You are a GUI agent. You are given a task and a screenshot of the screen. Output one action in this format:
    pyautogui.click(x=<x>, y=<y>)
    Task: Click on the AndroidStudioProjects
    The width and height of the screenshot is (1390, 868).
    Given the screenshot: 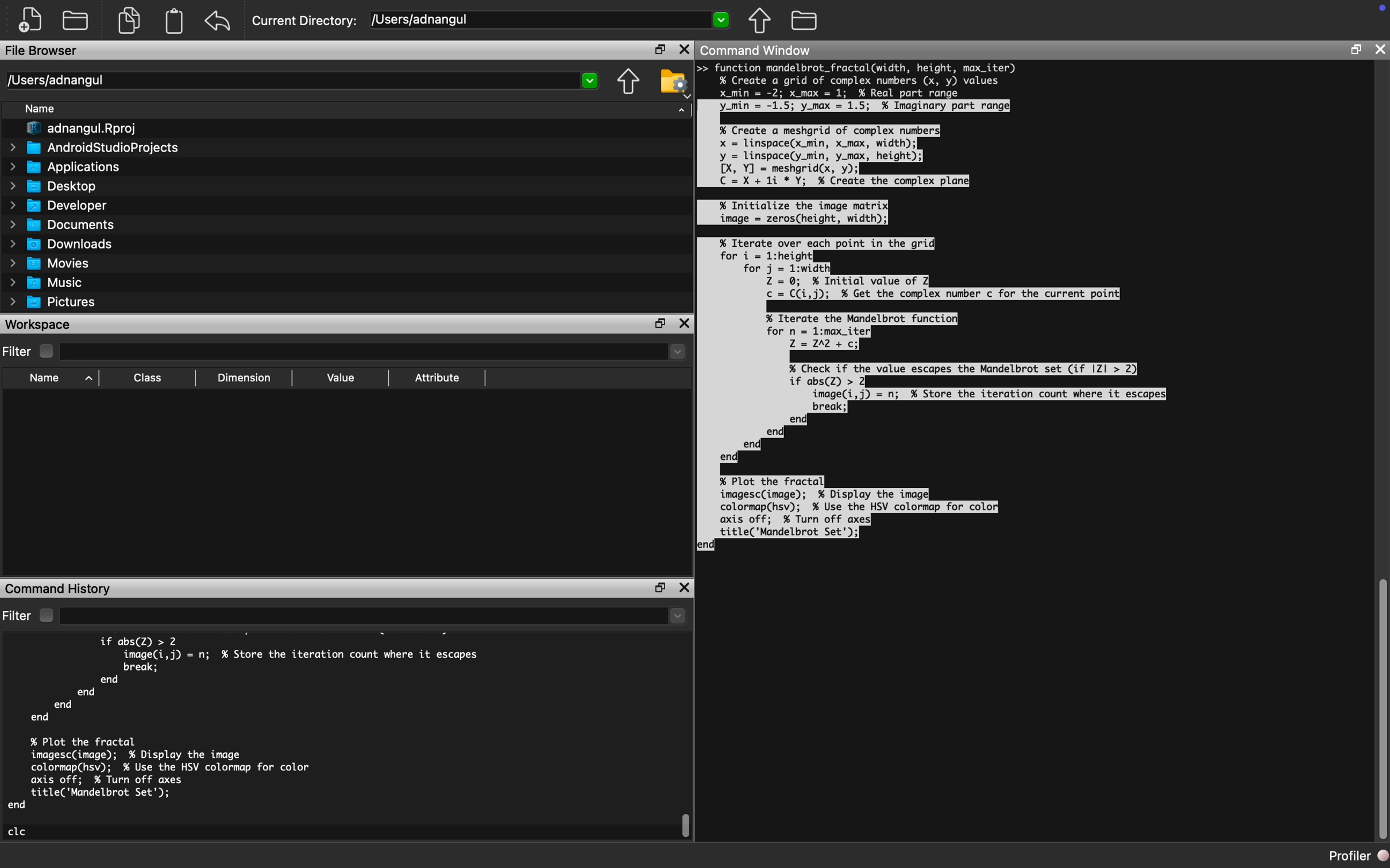 What is the action you would take?
    pyautogui.click(x=94, y=148)
    